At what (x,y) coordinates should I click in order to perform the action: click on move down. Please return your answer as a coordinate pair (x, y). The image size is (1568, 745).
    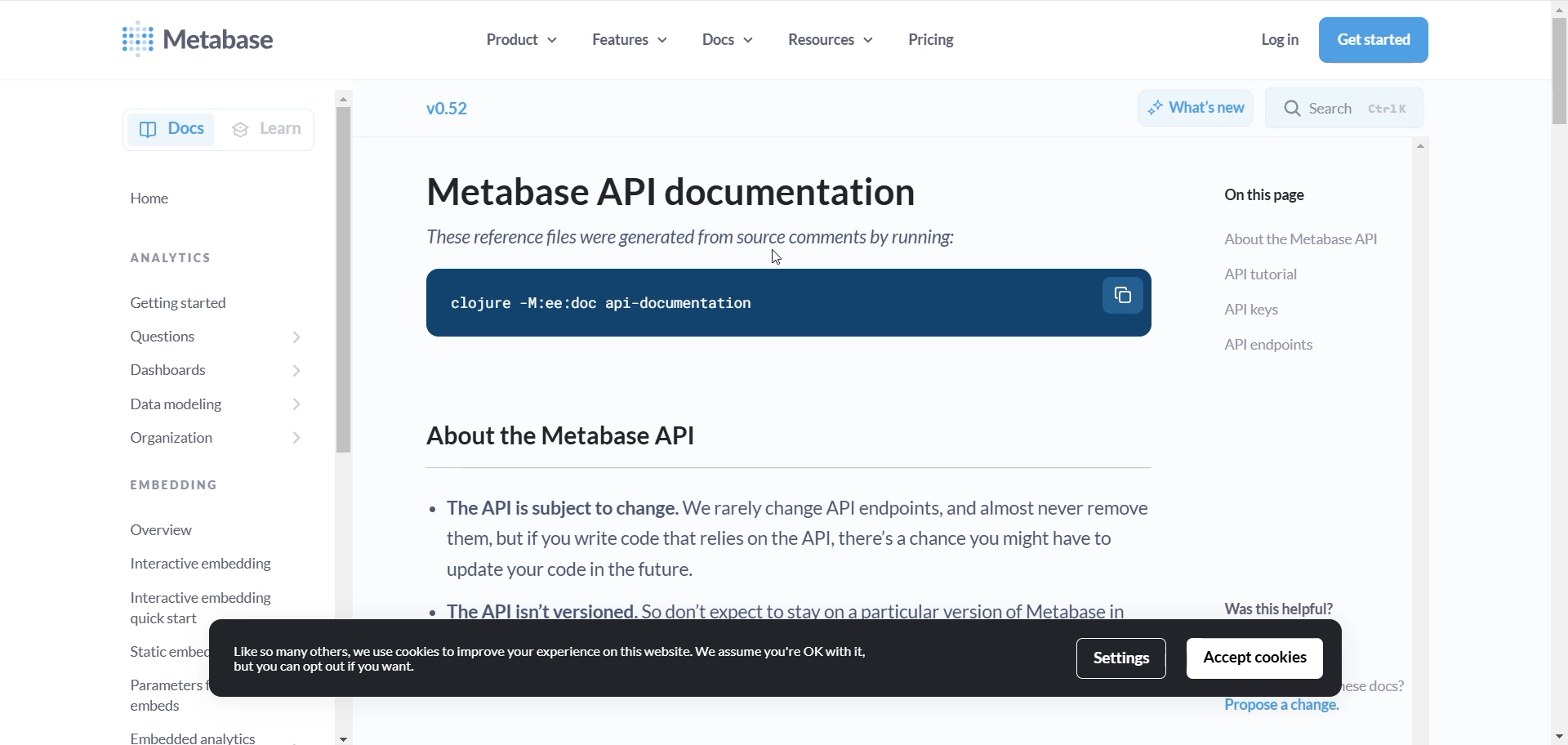
    Looking at the image, I should click on (1558, 737).